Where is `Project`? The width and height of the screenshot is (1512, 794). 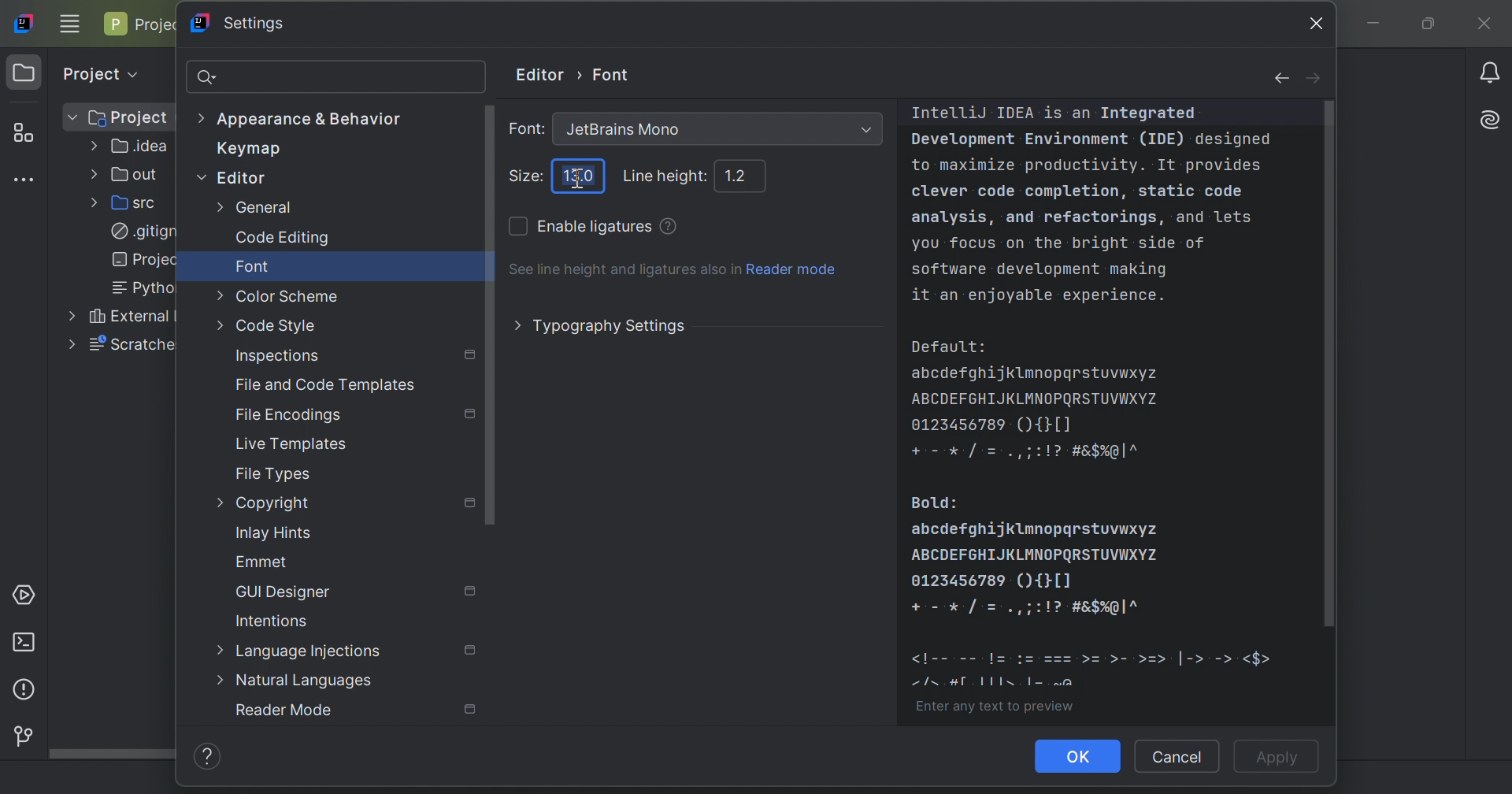
Project is located at coordinates (142, 24).